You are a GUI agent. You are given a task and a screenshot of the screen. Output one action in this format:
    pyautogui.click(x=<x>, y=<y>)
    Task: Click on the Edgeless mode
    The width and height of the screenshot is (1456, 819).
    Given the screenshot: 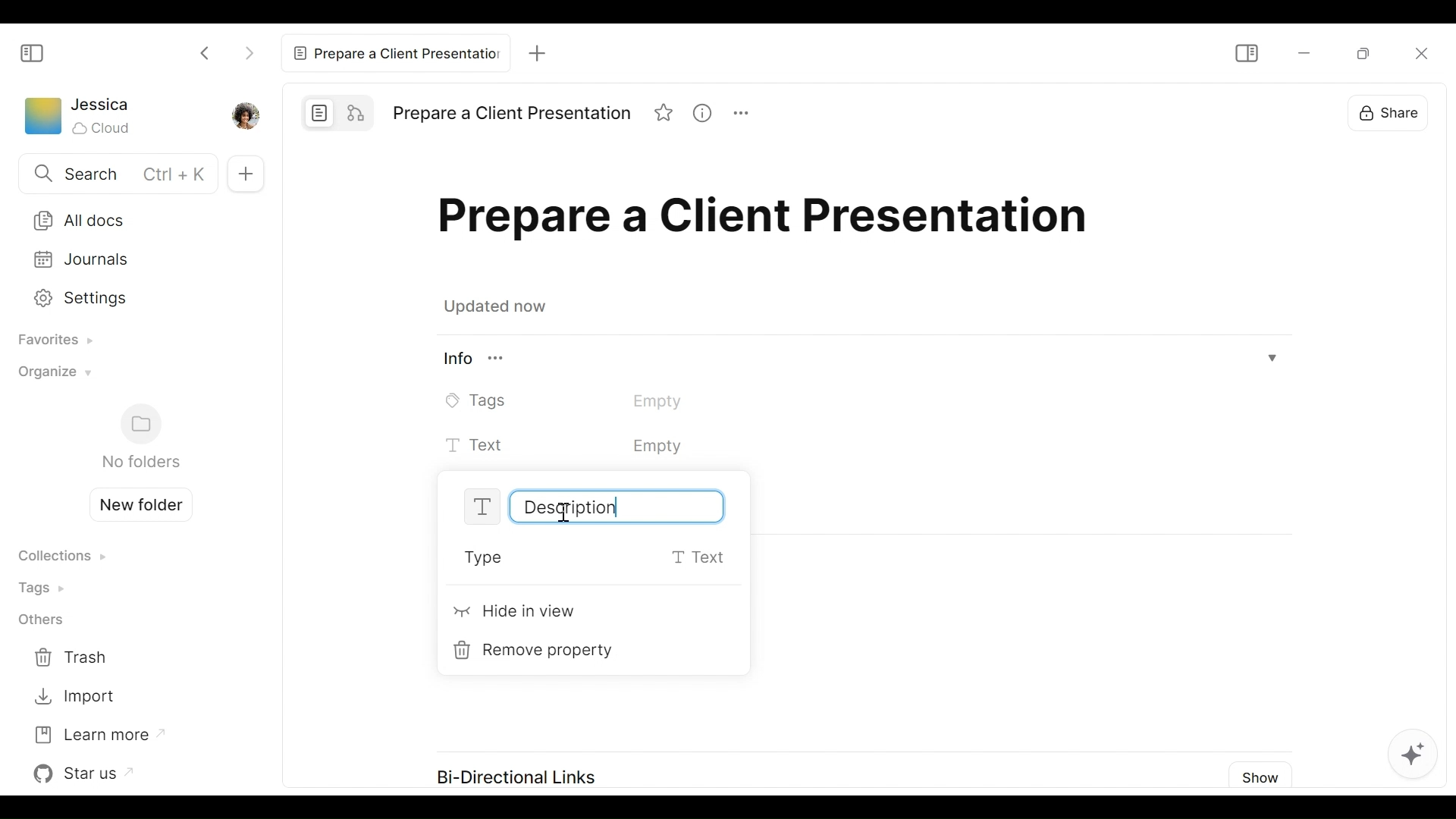 What is the action you would take?
    pyautogui.click(x=358, y=111)
    